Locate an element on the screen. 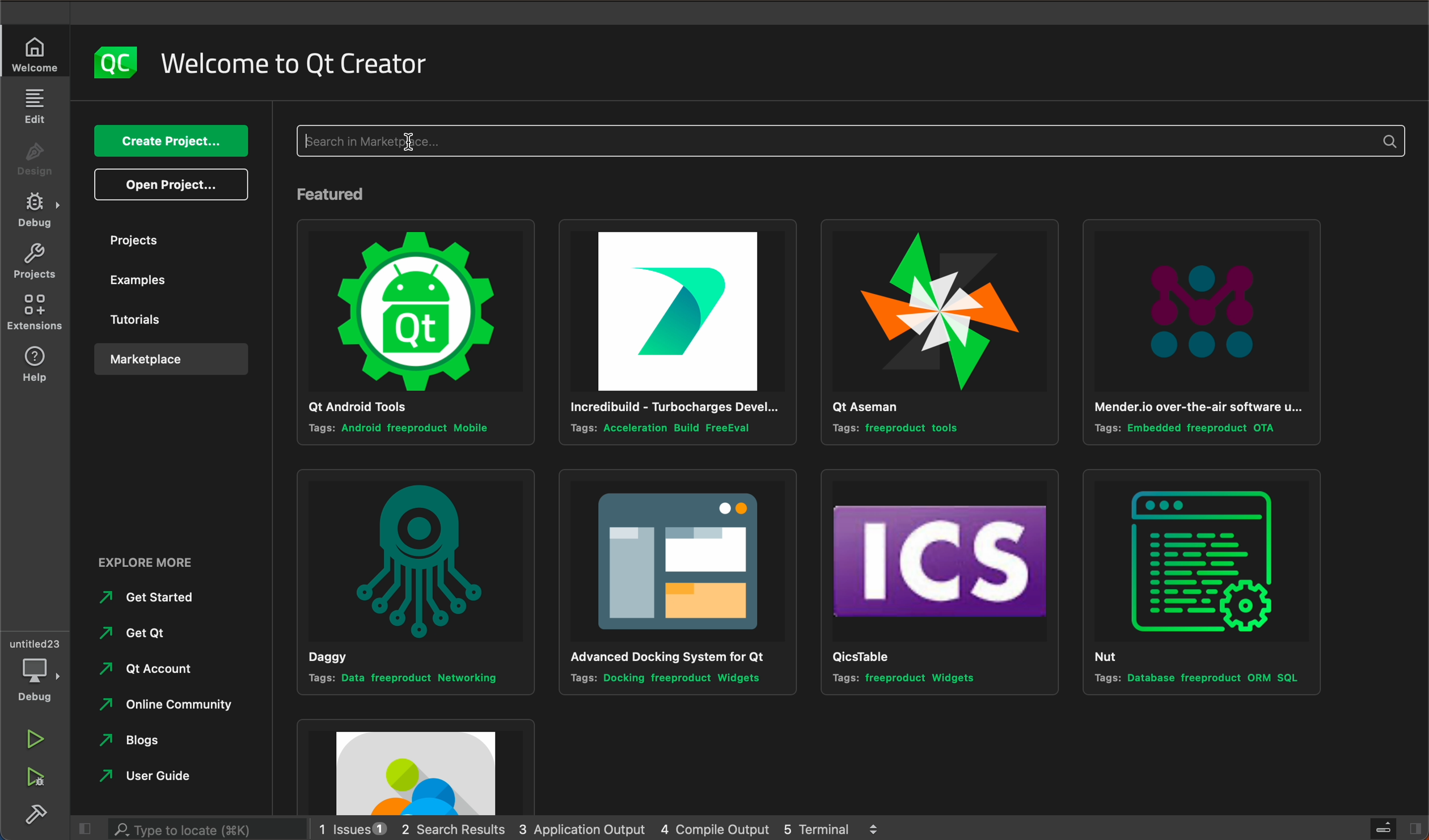 The height and width of the screenshot is (840, 1429).  is located at coordinates (1201, 335).